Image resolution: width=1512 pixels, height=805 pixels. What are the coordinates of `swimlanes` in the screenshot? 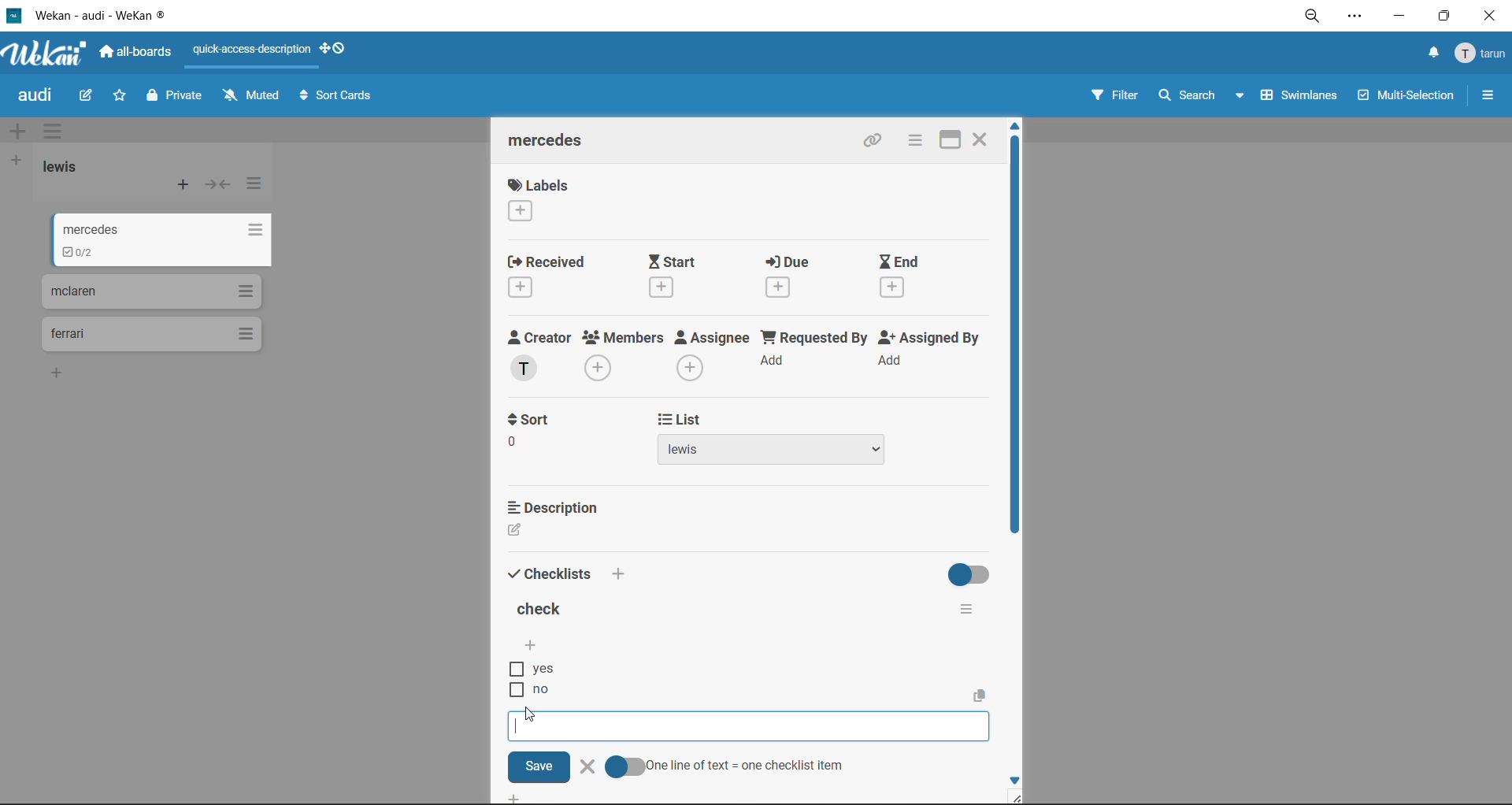 It's located at (1302, 98).